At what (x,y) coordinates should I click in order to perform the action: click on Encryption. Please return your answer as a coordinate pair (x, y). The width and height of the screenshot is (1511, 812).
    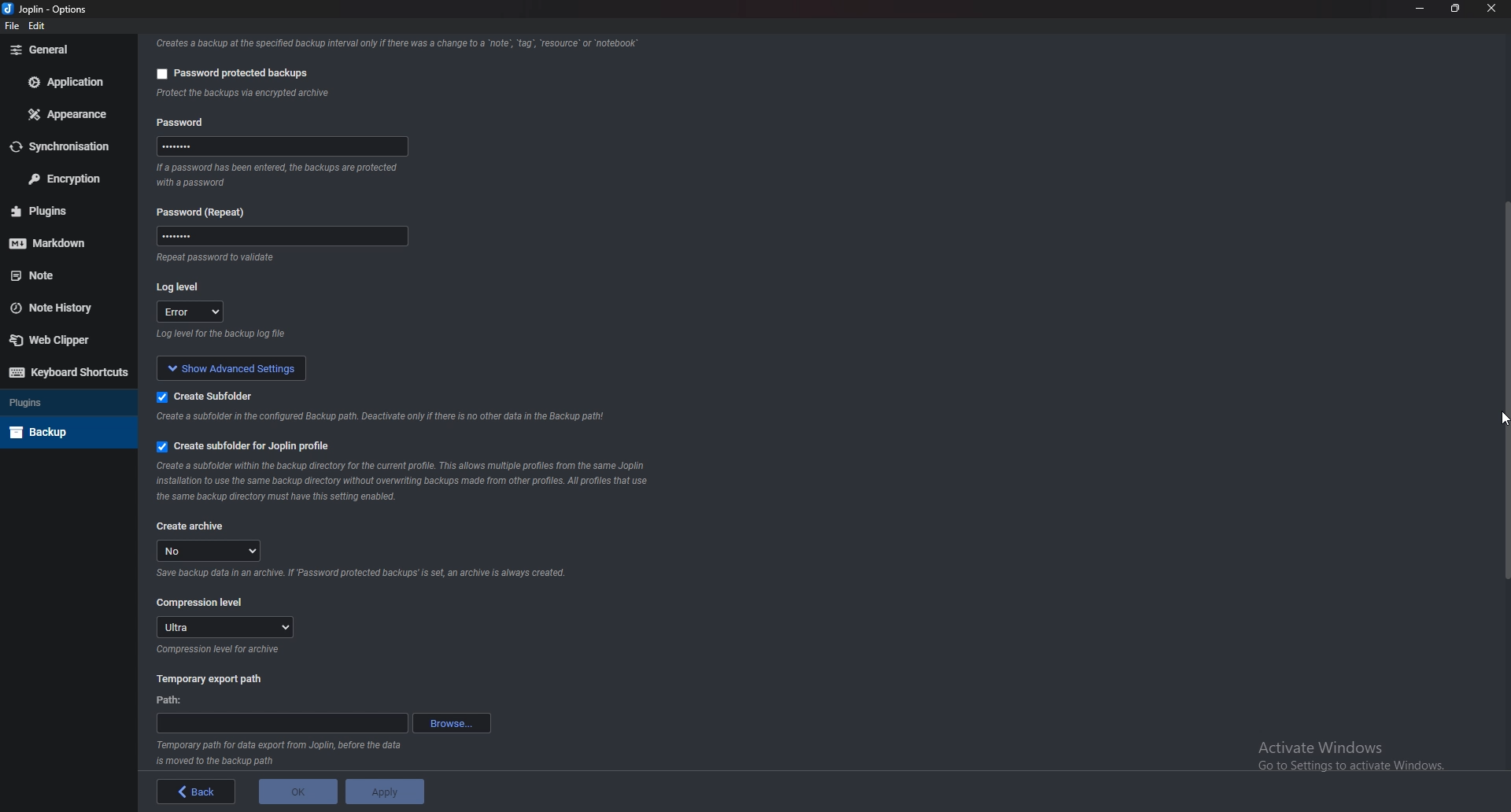
    Looking at the image, I should click on (65, 178).